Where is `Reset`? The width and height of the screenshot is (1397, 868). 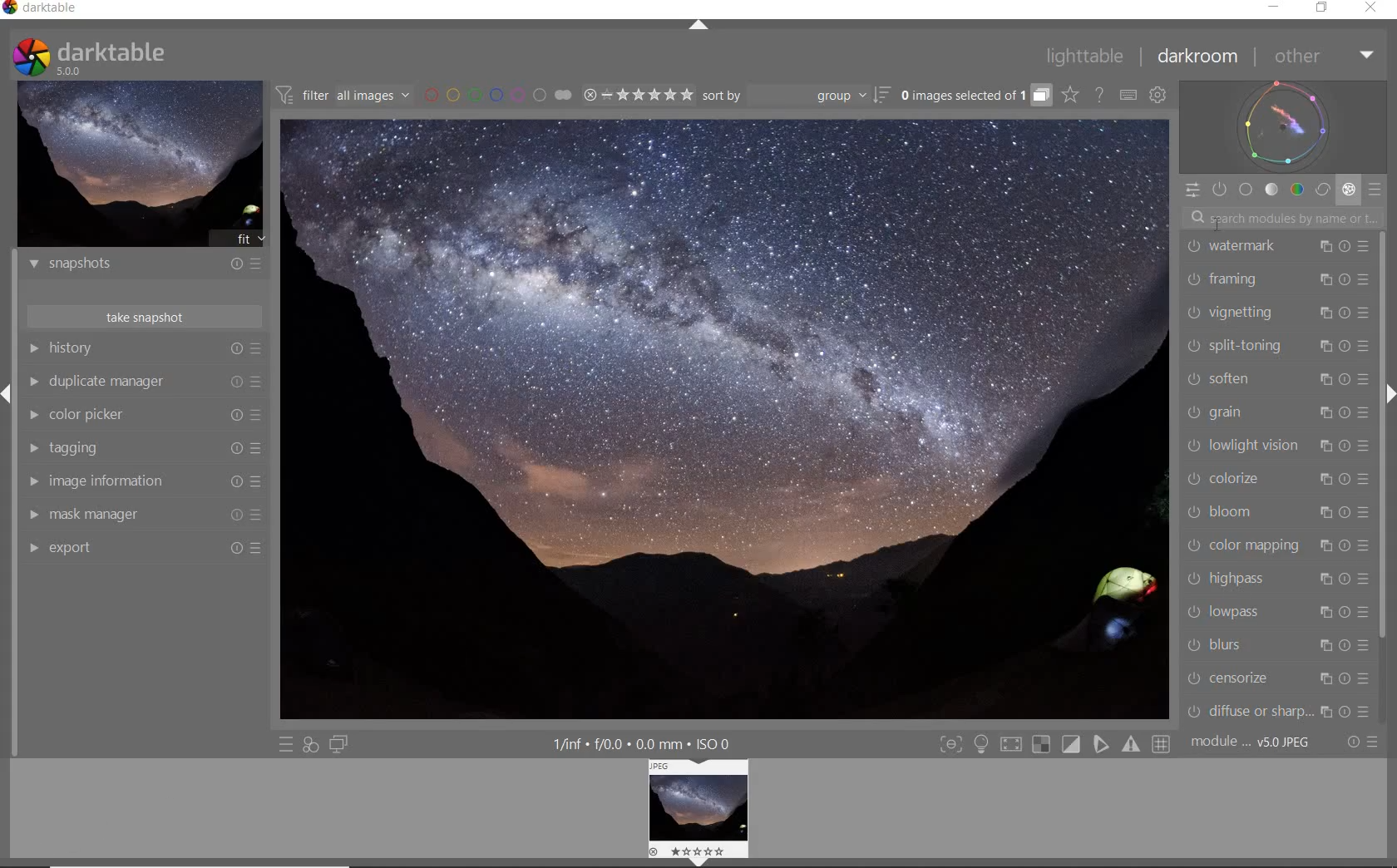 Reset is located at coordinates (233, 548).